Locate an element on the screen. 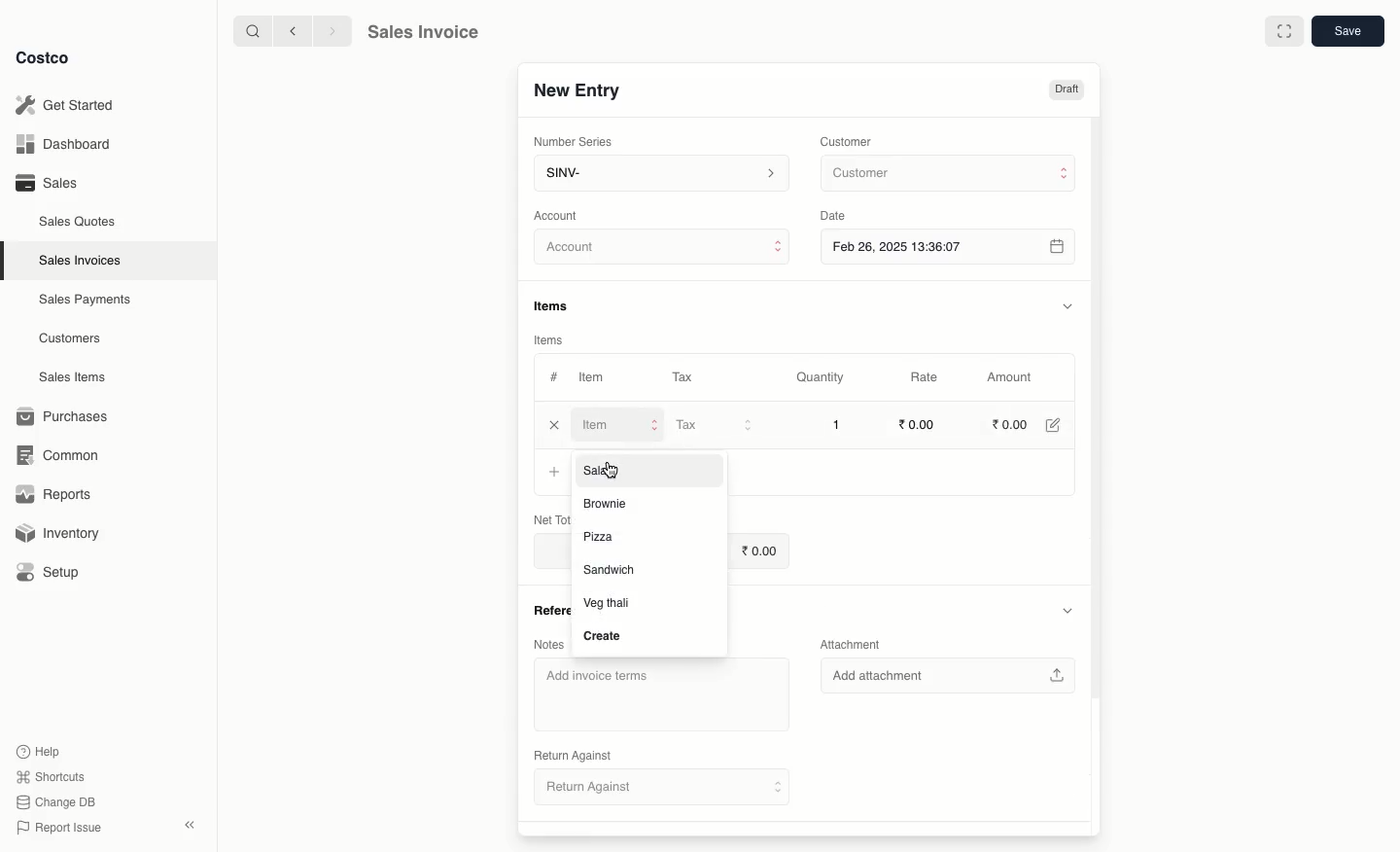  Tax is located at coordinates (682, 373).